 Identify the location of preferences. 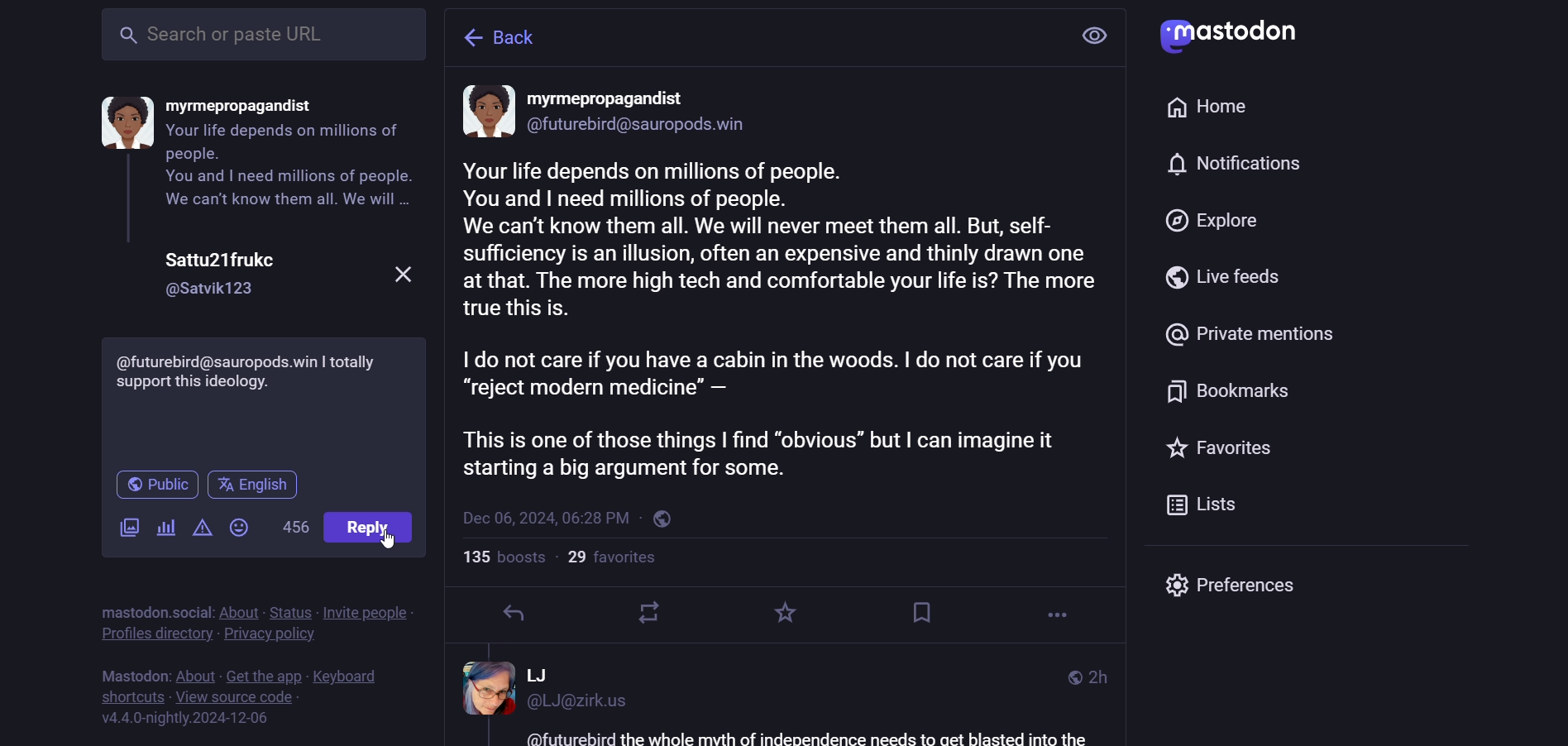
(1234, 587).